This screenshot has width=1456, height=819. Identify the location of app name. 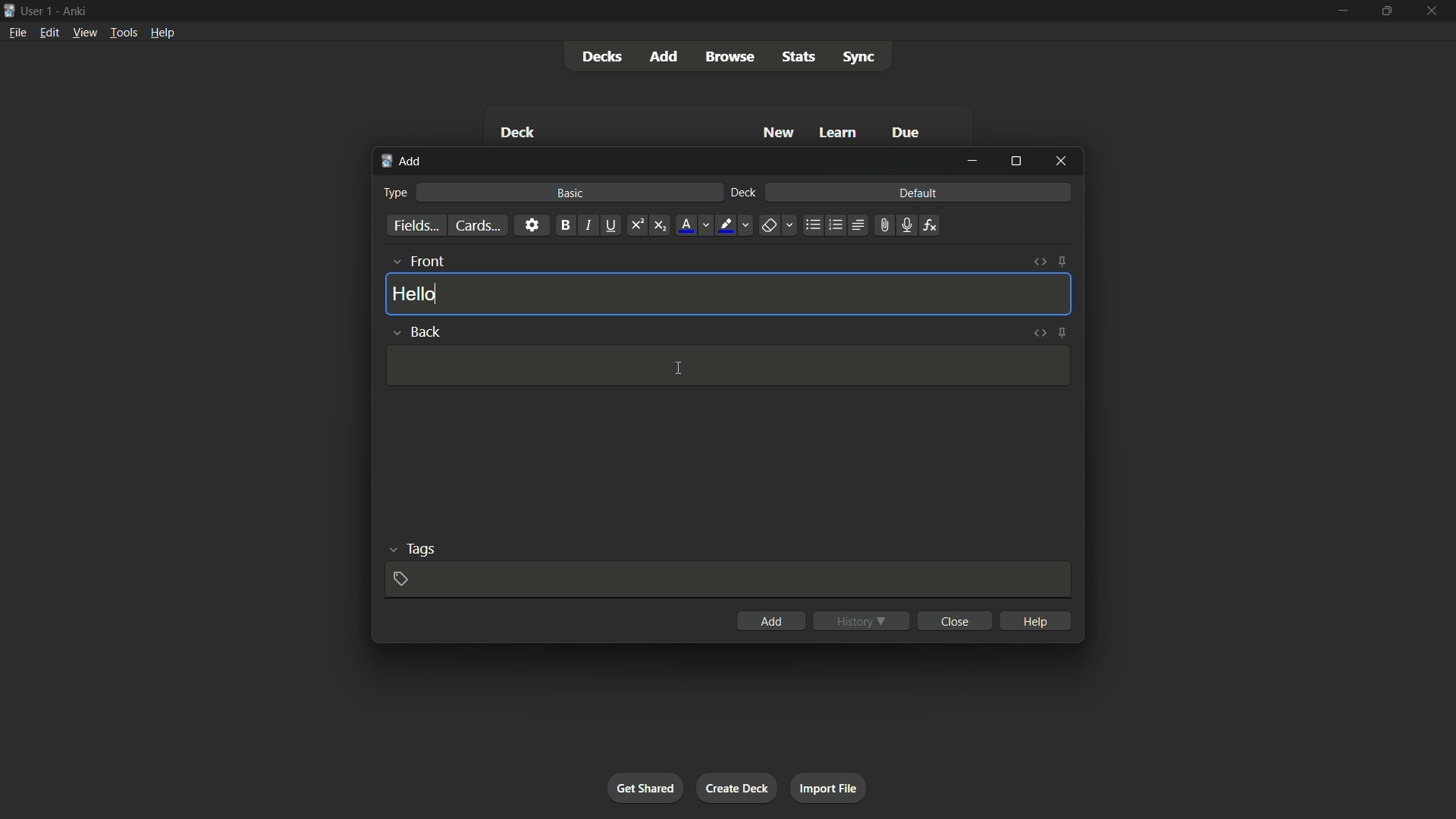
(77, 11).